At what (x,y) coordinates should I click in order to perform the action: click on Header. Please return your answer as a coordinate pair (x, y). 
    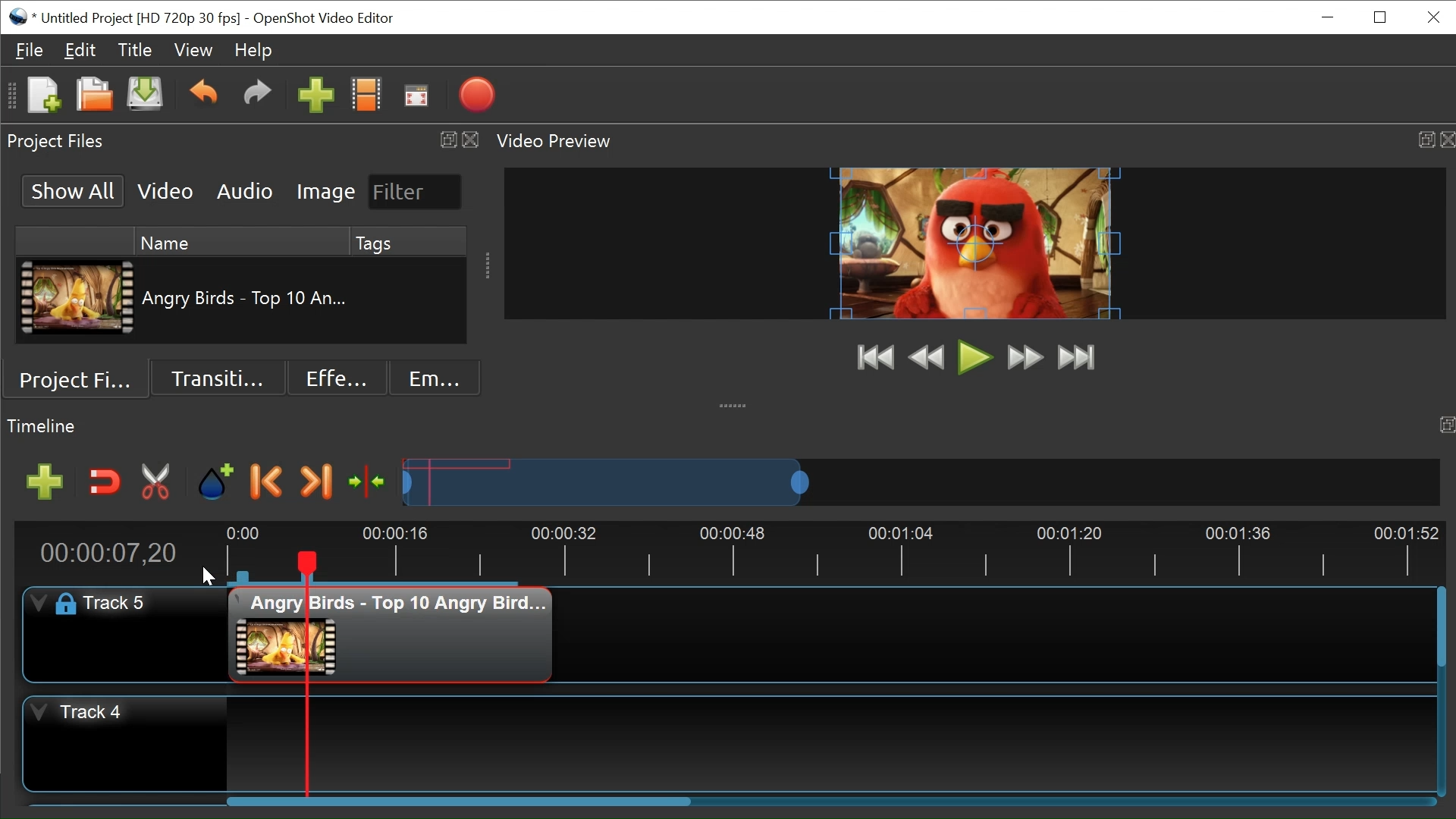
    Looking at the image, I should click on (118, 604).